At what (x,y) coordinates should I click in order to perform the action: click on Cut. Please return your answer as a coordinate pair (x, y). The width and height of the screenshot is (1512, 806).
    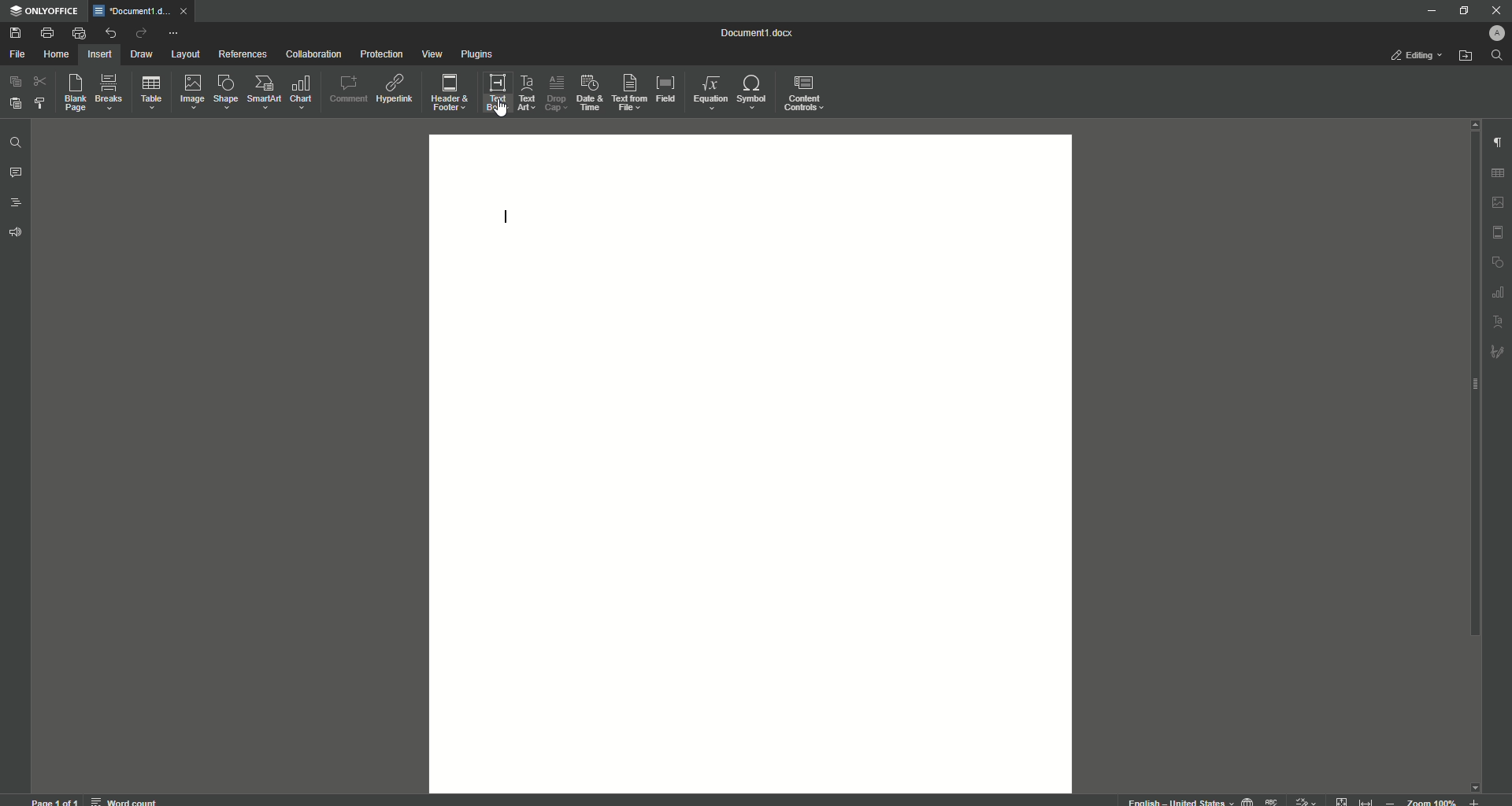
    Looking at the image, I should click on (42, 80).